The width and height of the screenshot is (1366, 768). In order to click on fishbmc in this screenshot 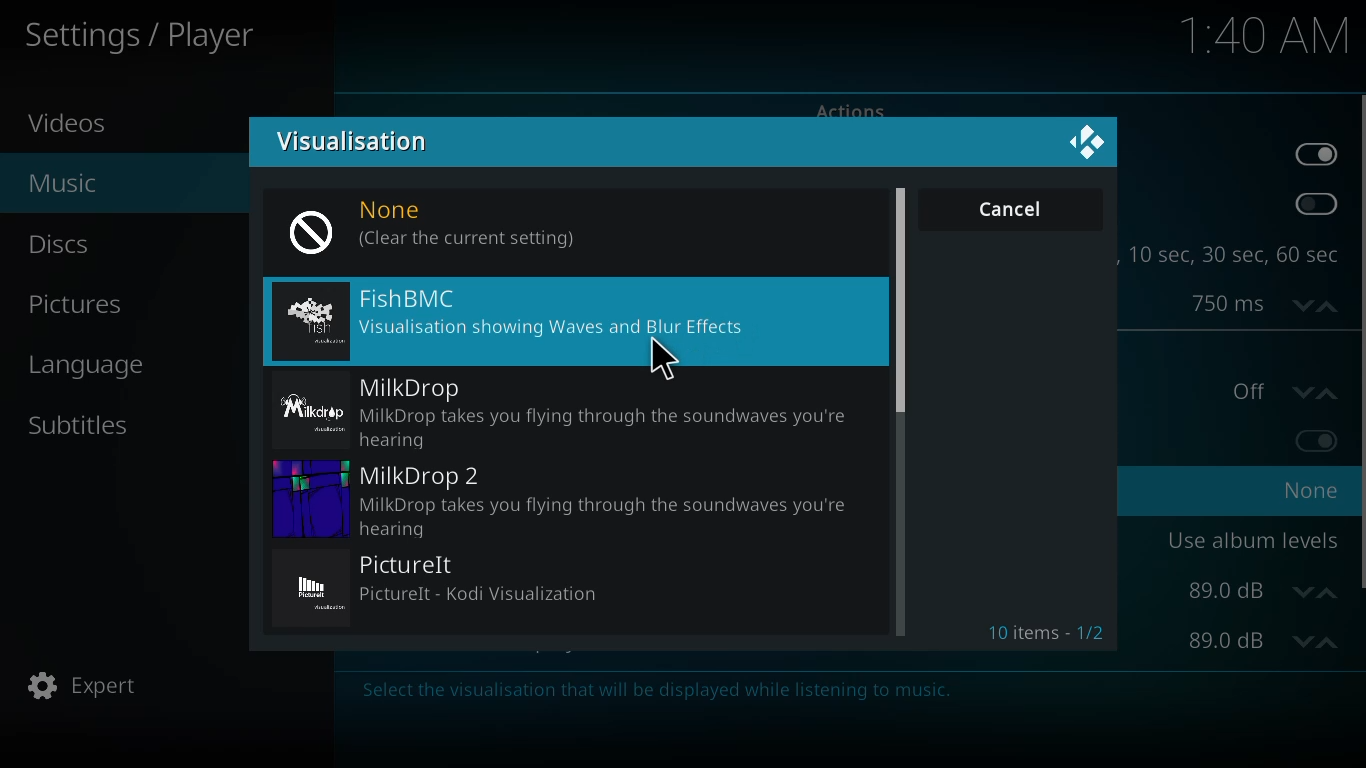, I will do `click(524, 315)`.